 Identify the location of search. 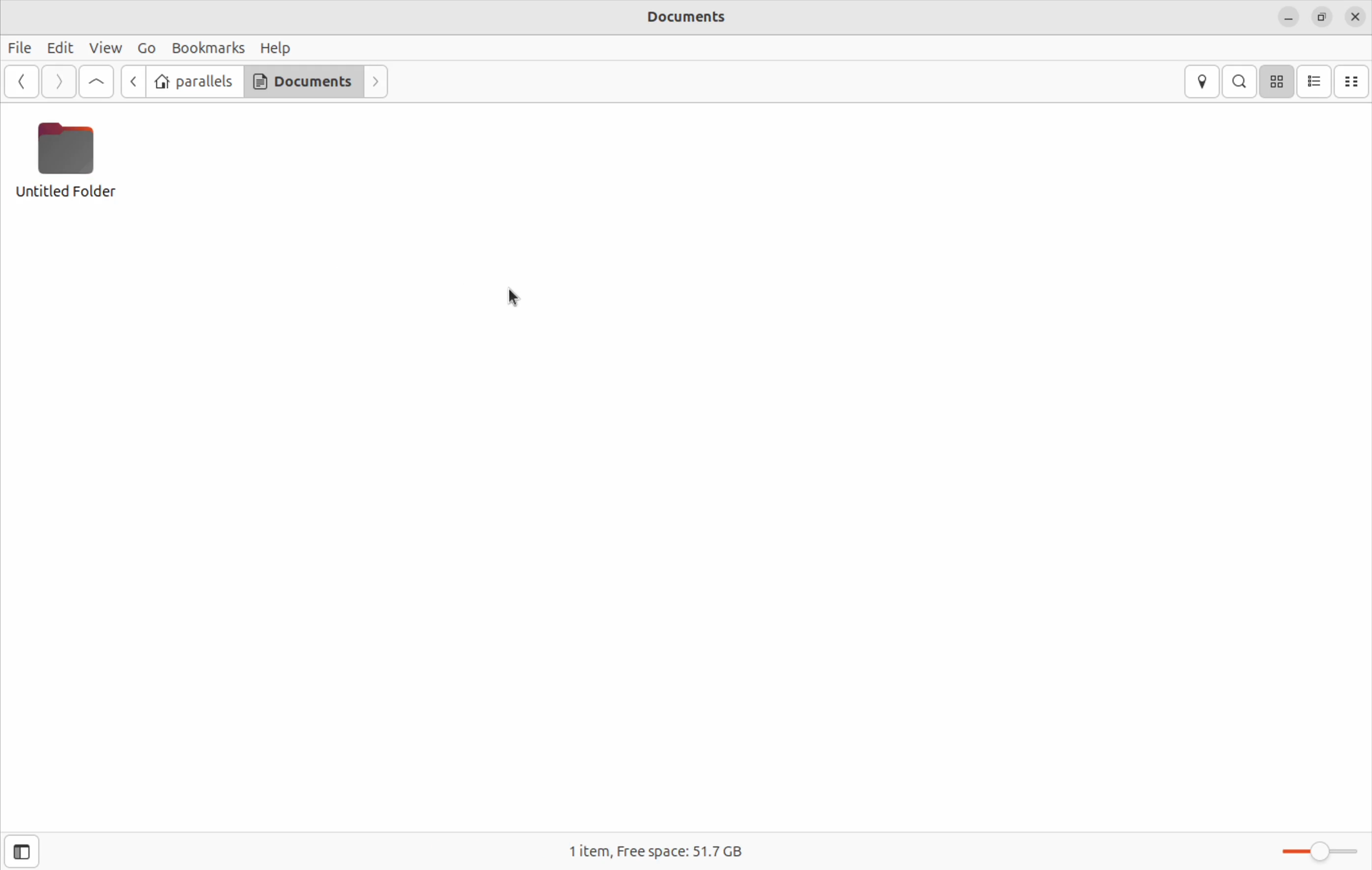
(1240, 81).